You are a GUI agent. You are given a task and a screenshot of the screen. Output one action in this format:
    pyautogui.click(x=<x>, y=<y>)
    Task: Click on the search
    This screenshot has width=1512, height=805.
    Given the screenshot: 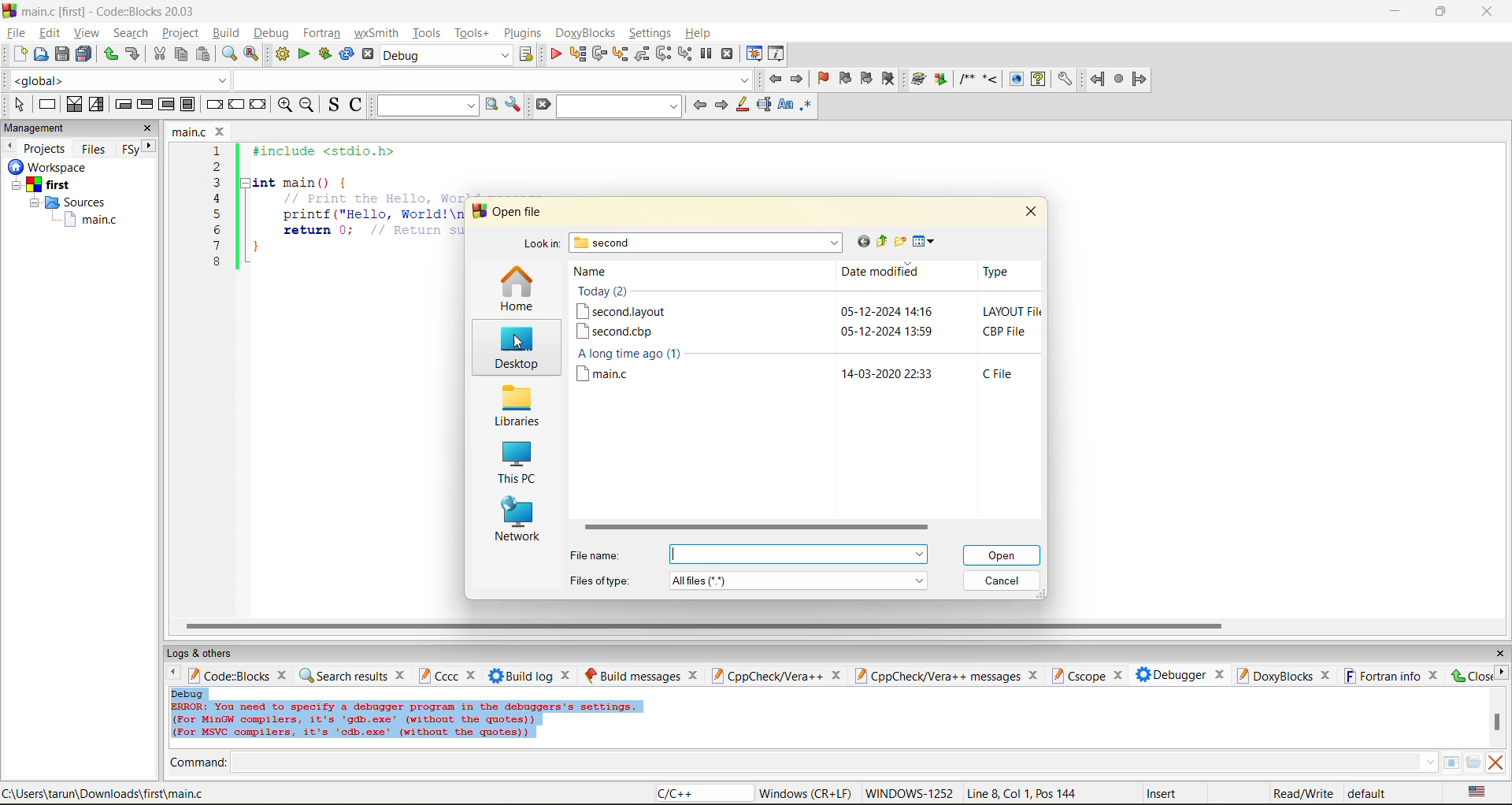 What is the action you would take?
    pyautogui.click(x=621, y=106)
    